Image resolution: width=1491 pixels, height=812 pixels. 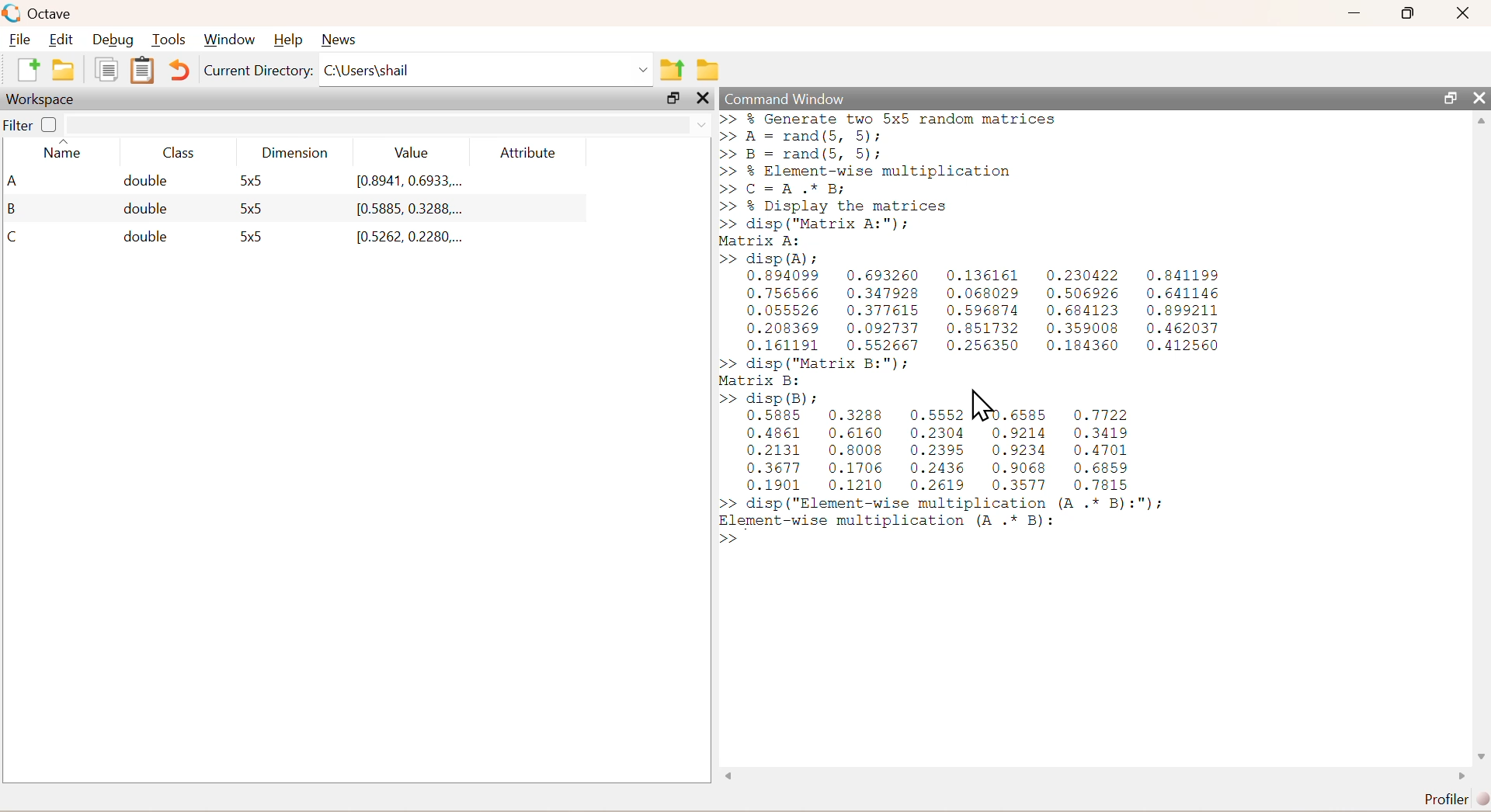 What do you see at coordinates (727, 774) in the screenshot?
I see `Left` at bounding box center [727, 774].